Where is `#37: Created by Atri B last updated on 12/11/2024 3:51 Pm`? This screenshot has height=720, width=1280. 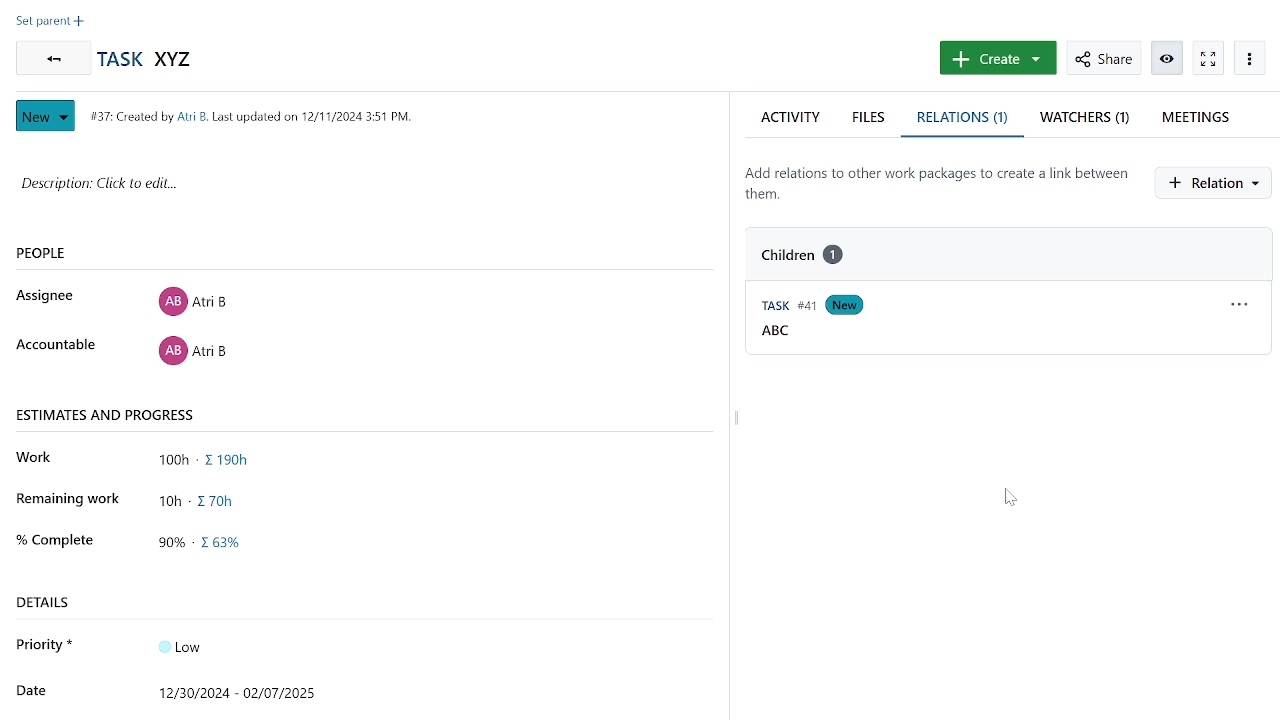 #37: Created by Atri B last updated on 12/11/2024 3:51 Pm is located at coordinates (249, 116).